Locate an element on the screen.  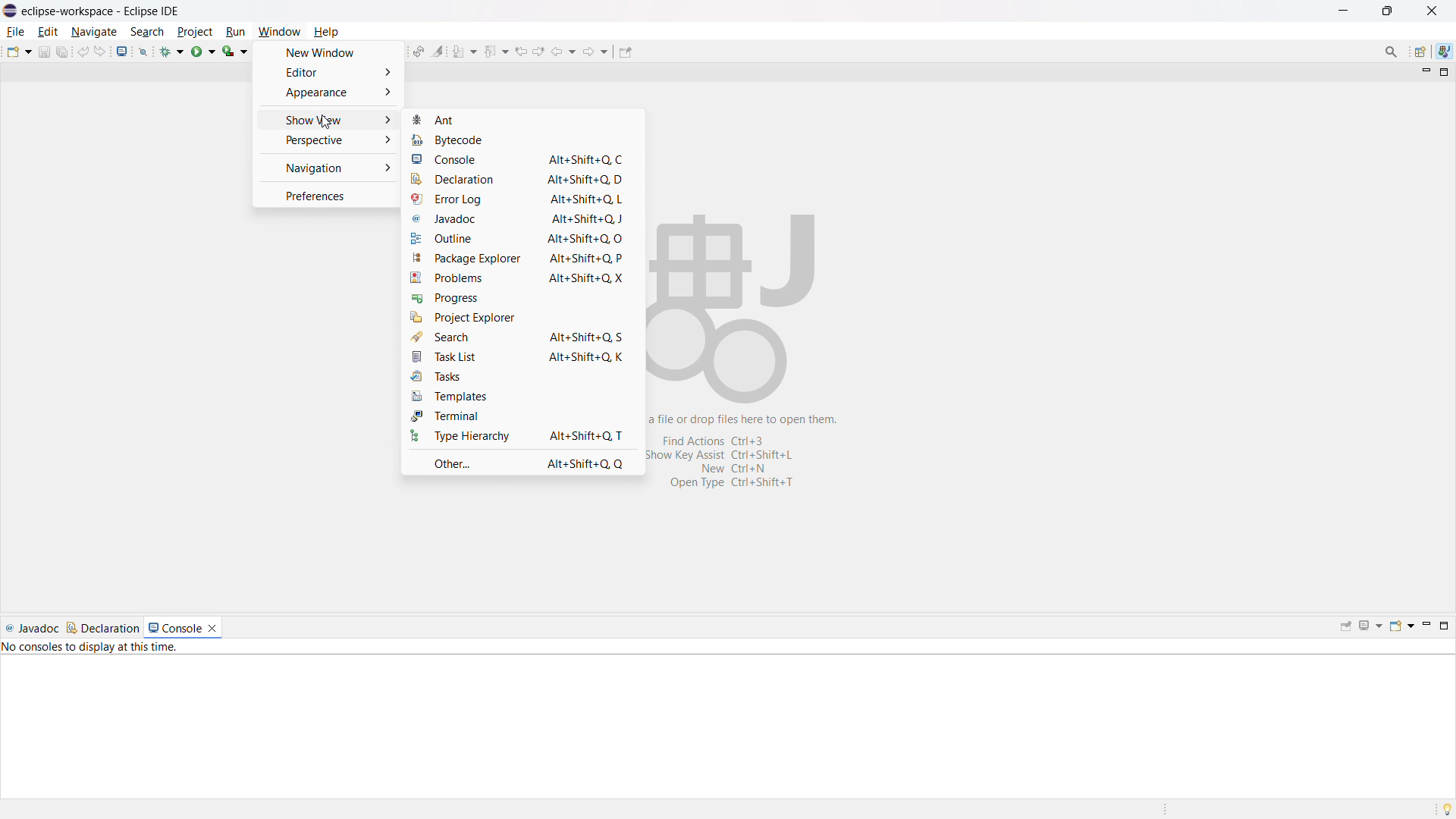
templates is located at coordinates (522, 395).